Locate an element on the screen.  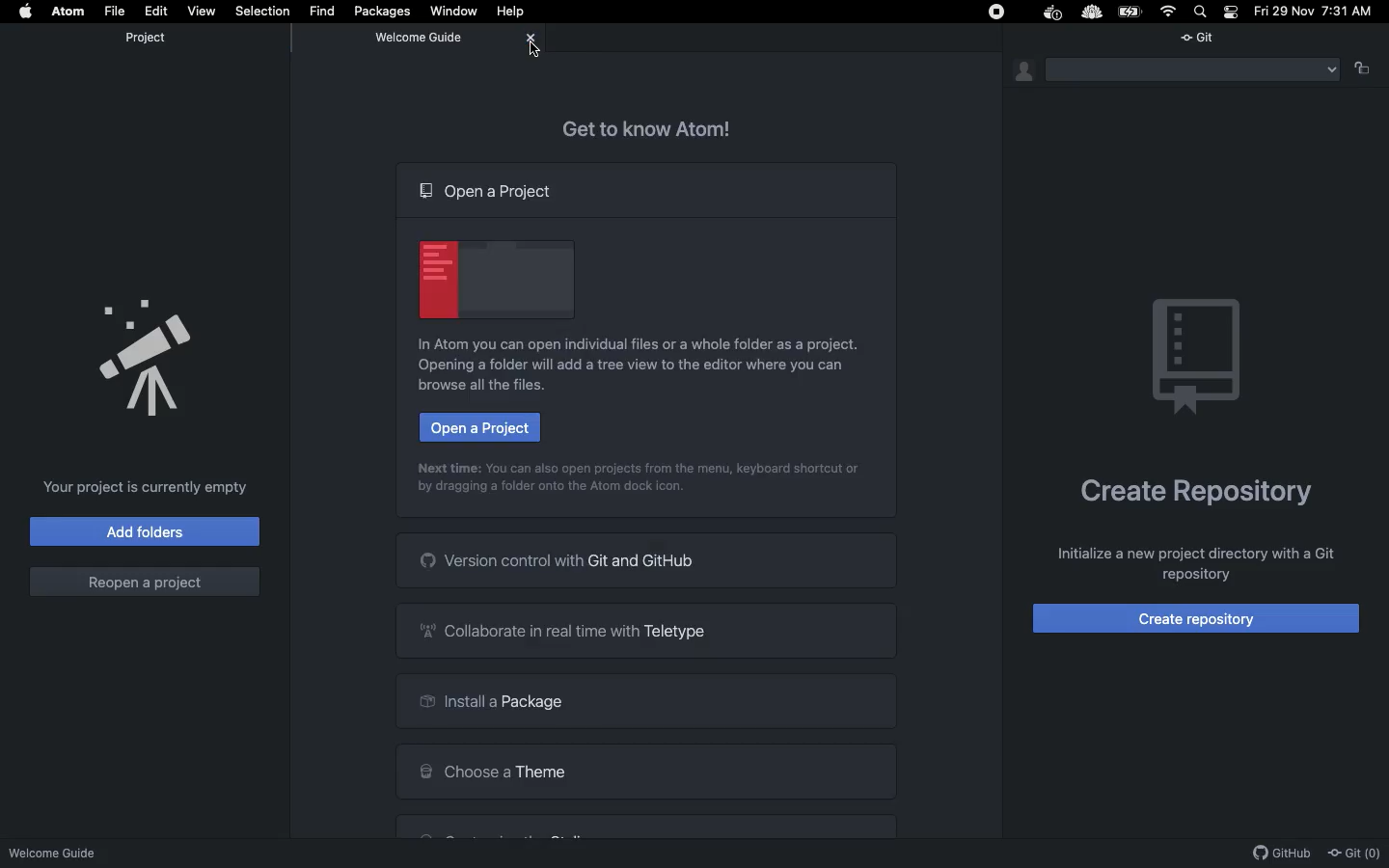
Git identity  is located at coordinates (1025, 71).